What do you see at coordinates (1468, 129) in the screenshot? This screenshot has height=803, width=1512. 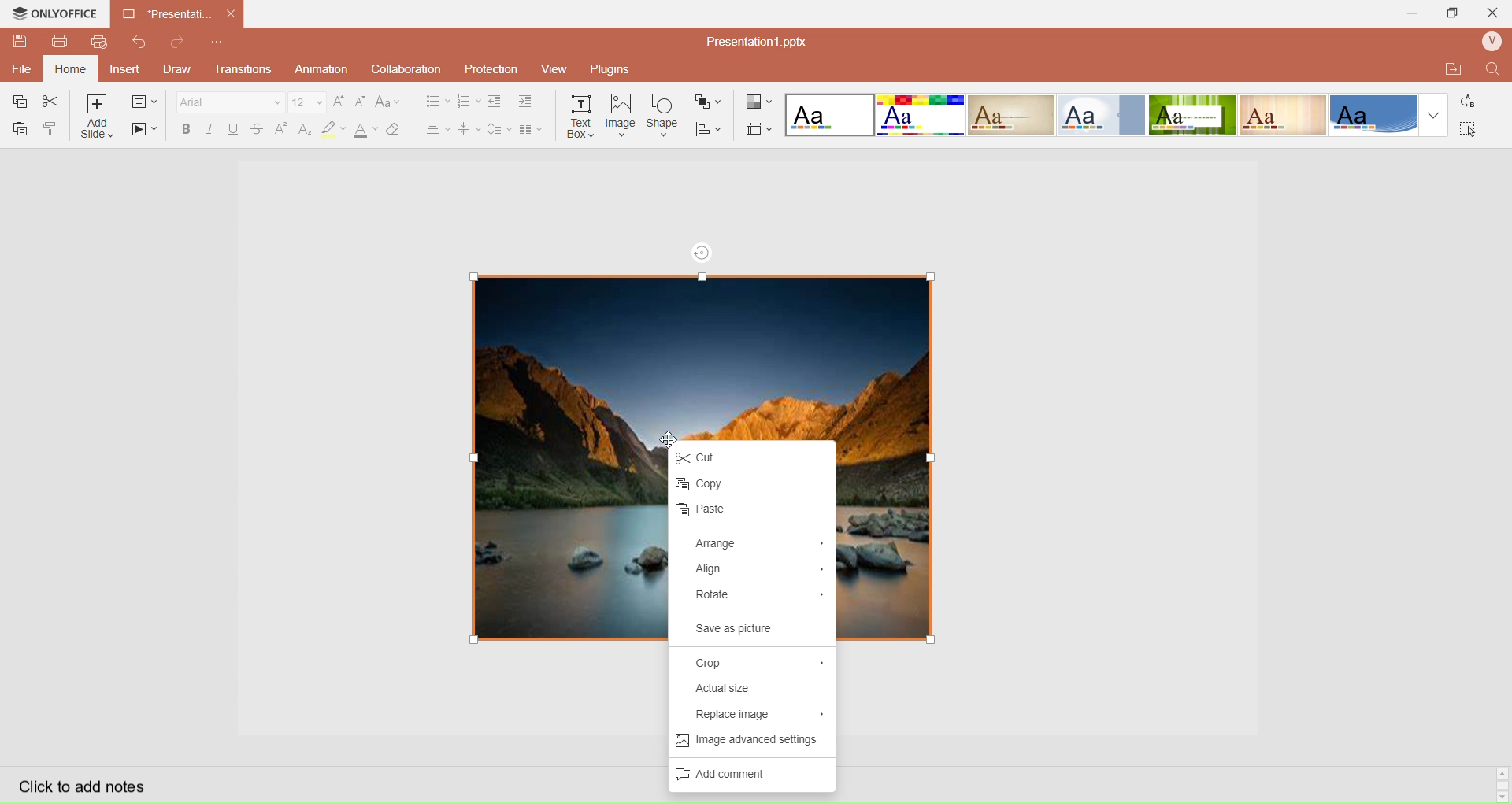 I see `Select All` at bounding box center [1468, 129].